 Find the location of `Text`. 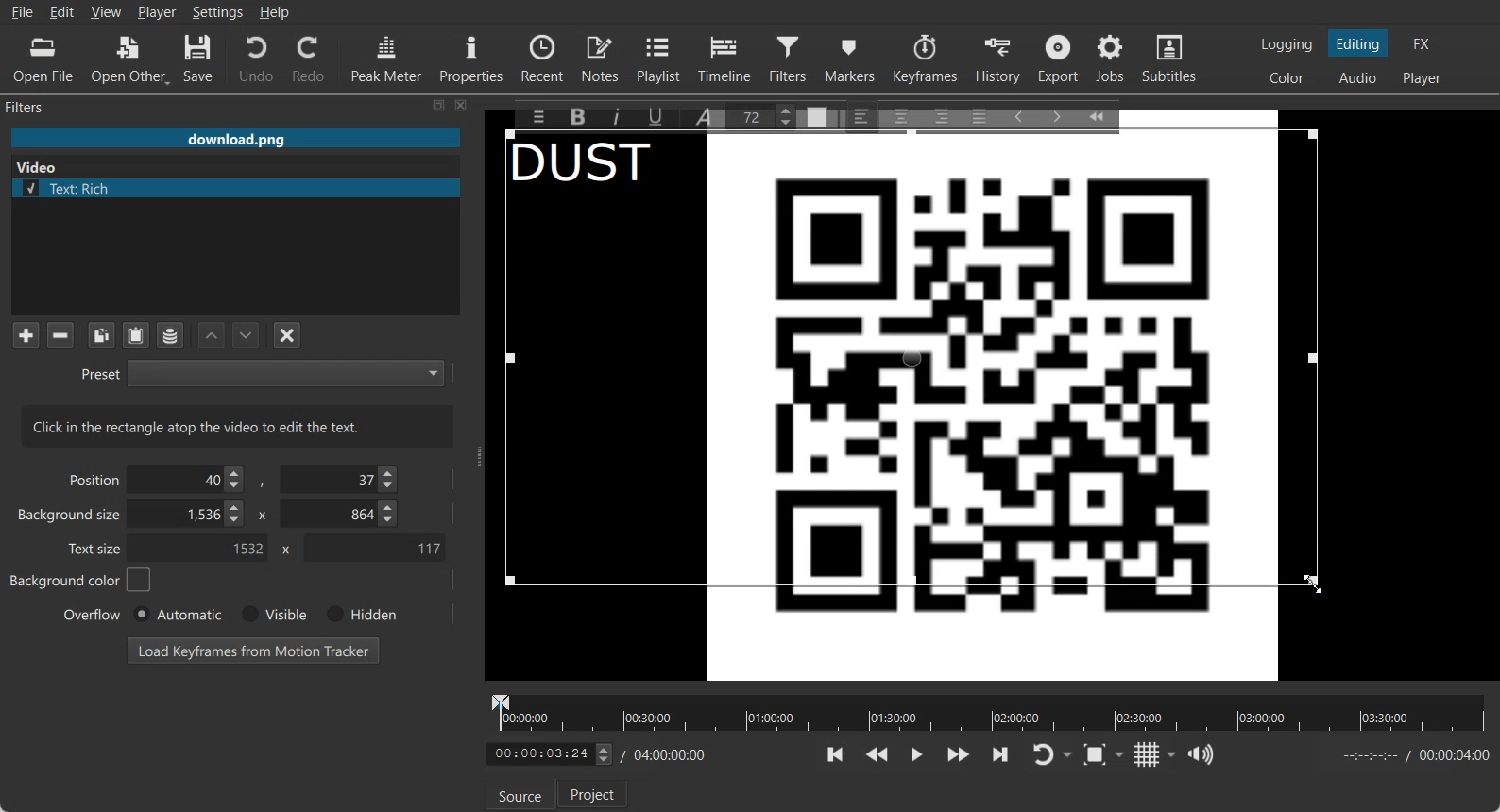

Text is located at coordinates (238, 426).